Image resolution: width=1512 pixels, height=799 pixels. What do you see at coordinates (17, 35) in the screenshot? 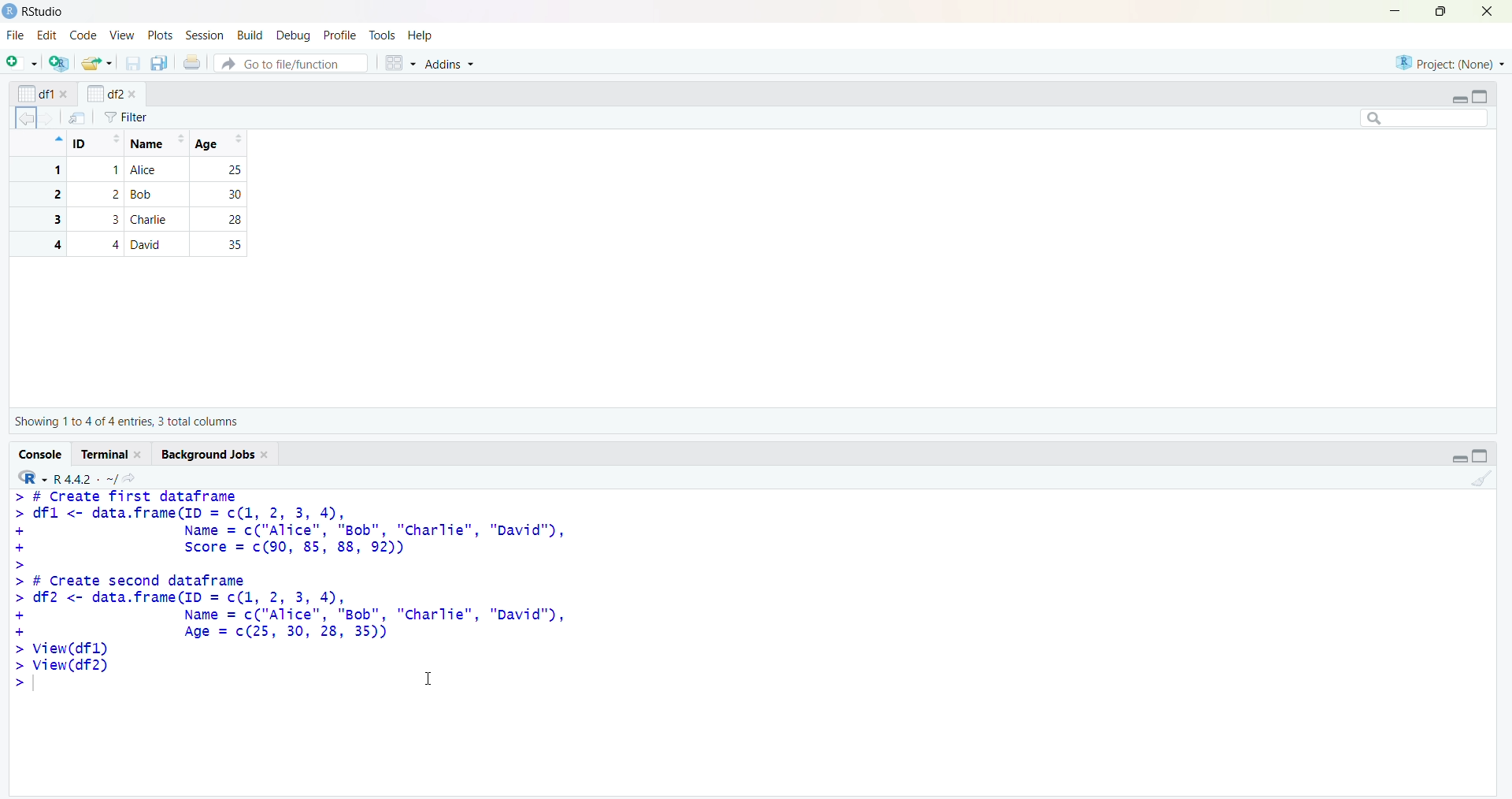
I see `file` at bounding box center [17, 35].